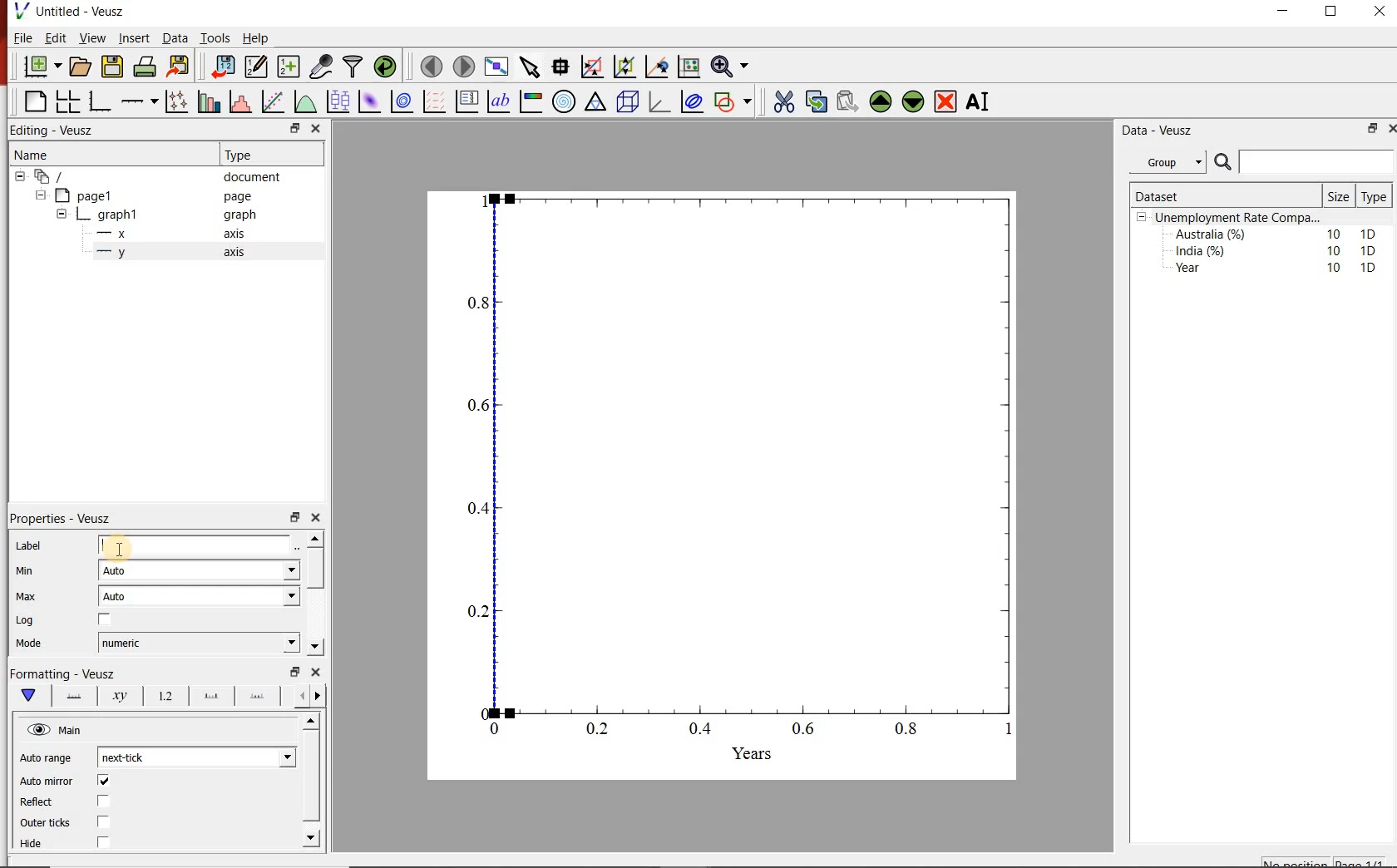 The height and width of the screenshot is (868, 1397). What do you see at coordinates (200, 596) in the screenshot?
I see `Auto` at bounding box center [200, 596].